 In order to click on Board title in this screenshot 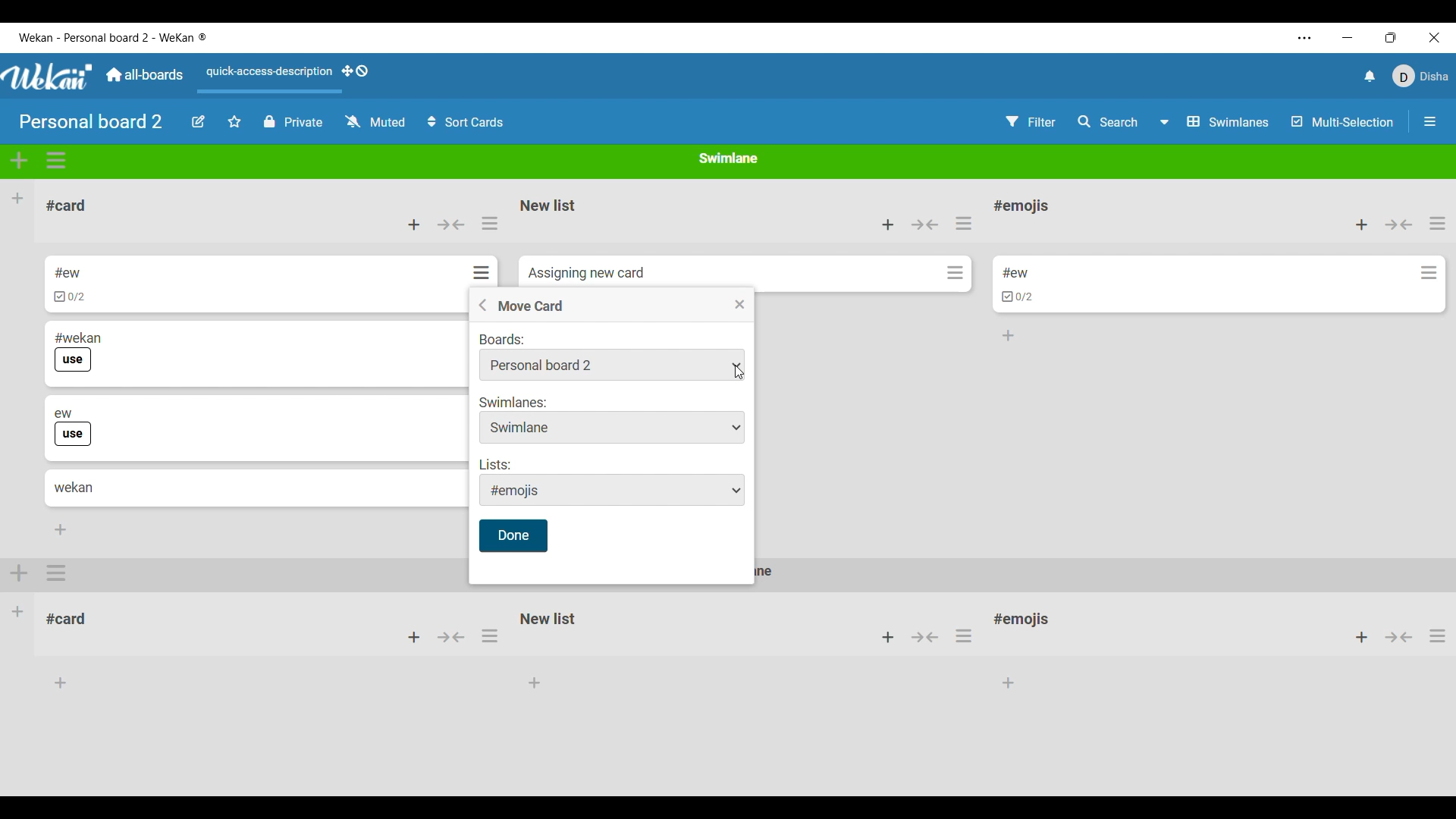, I will do `click(92, 121)`.